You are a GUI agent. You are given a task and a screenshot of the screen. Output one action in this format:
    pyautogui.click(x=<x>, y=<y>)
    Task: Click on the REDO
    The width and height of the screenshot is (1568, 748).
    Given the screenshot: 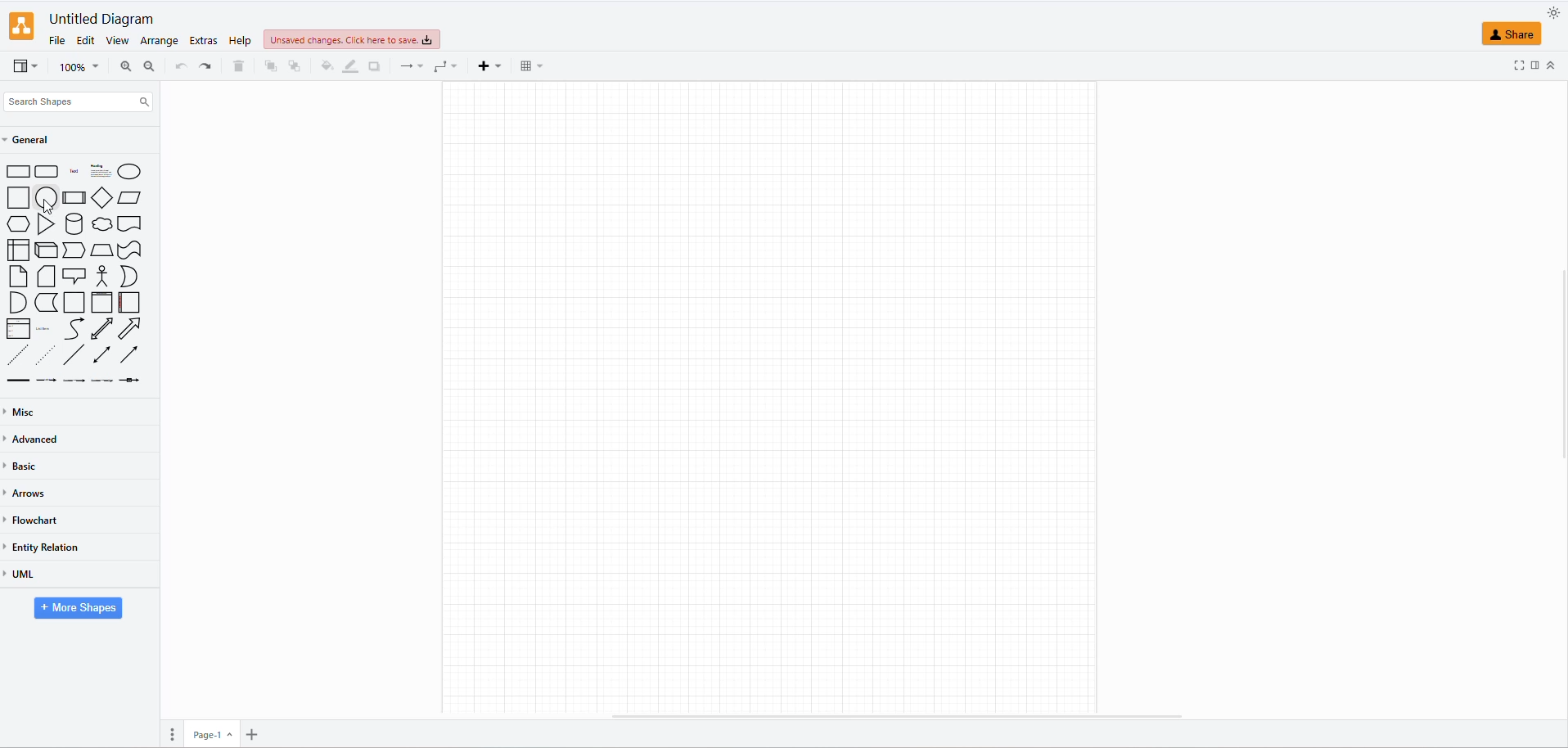 What is the action you would take?
    pyautogui.click(x=204, y=66)
    